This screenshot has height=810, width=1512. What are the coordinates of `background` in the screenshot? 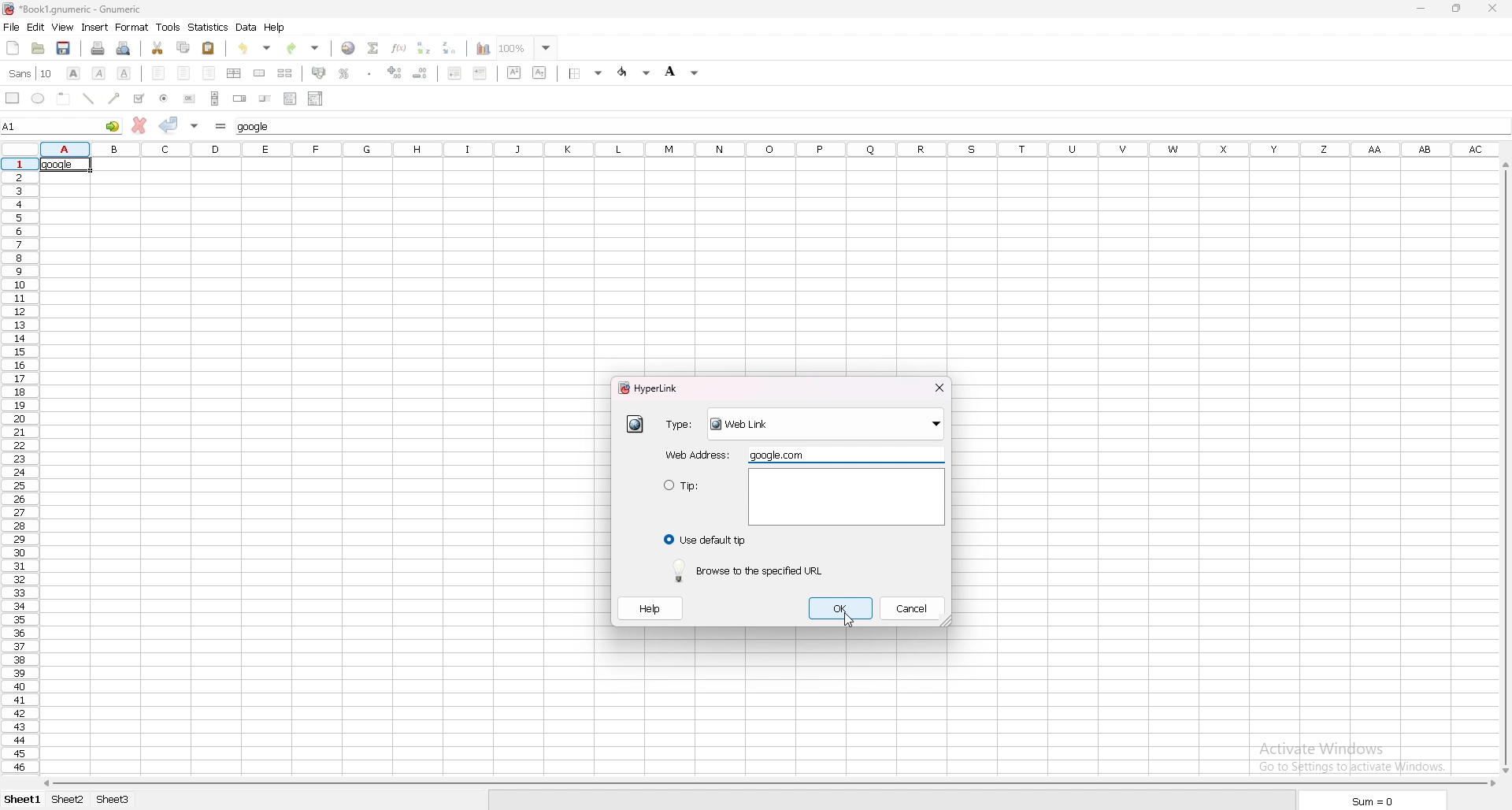 It's located at (684, 72).